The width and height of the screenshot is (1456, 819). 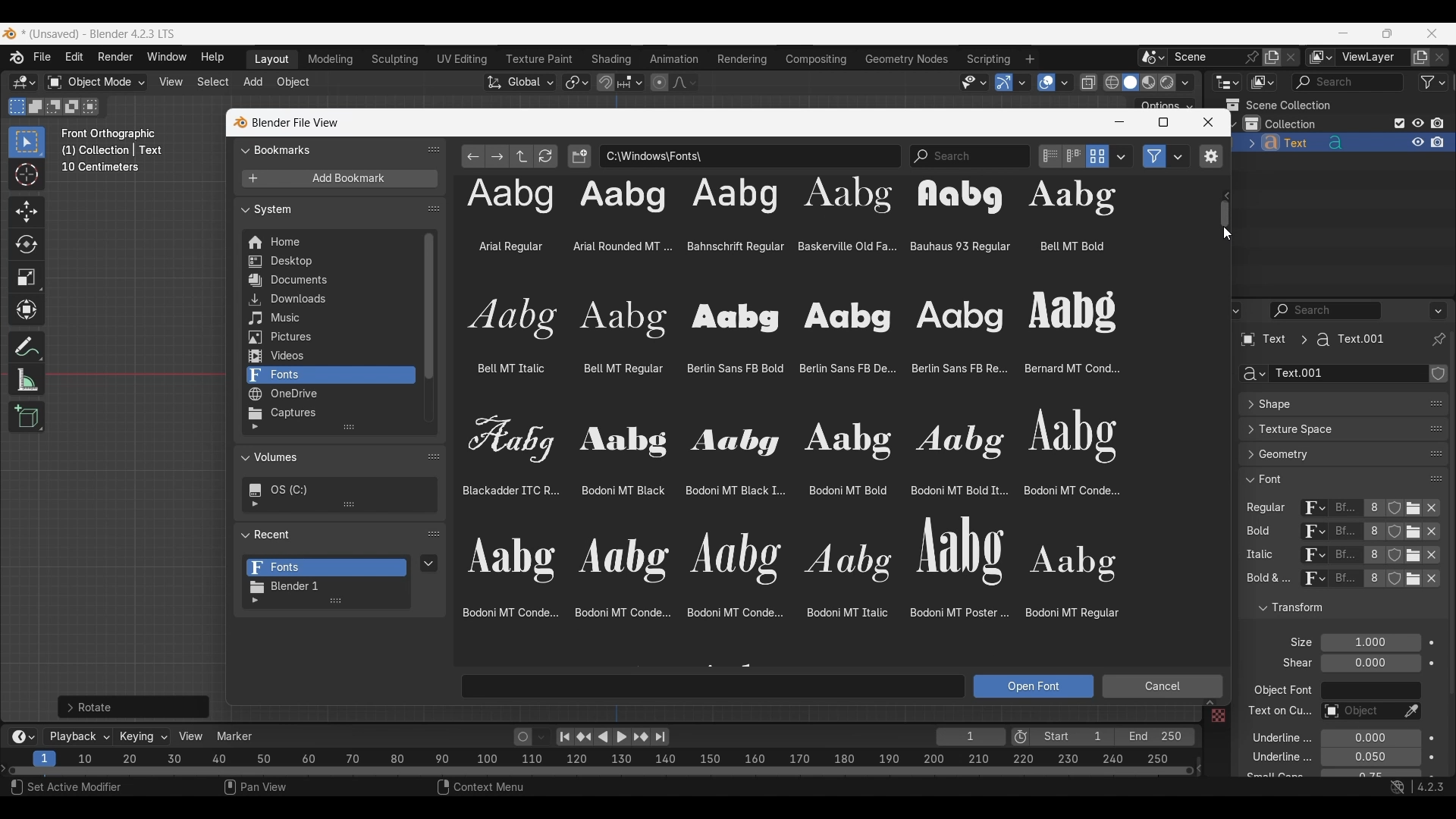 What do you see at coordinates (1291, 58) in the screenshot?
I see `Delete scene` at bounding box center [1291, 58].